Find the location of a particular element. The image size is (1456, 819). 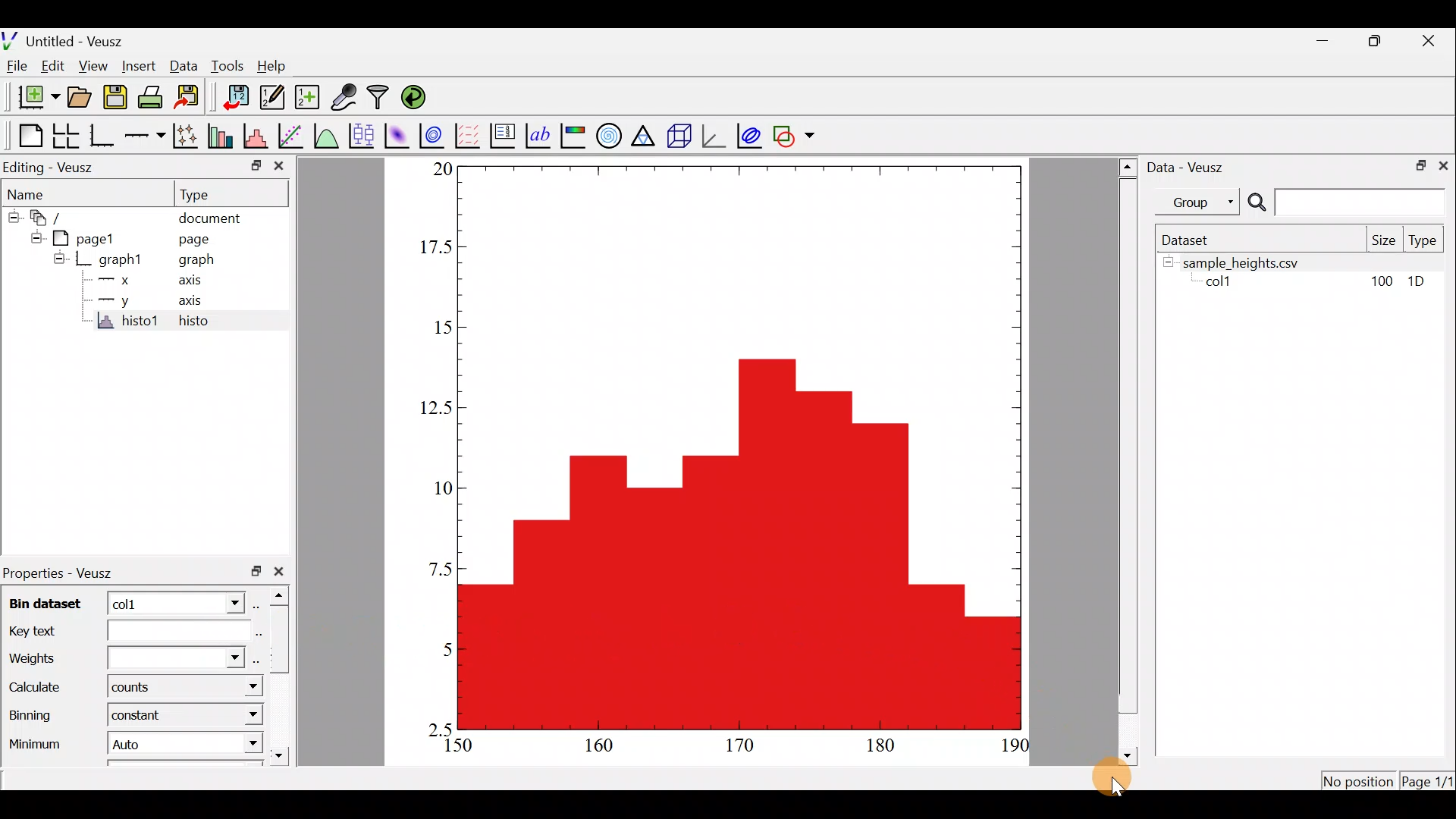

Bin dataset is located at coordinates (49, 601).